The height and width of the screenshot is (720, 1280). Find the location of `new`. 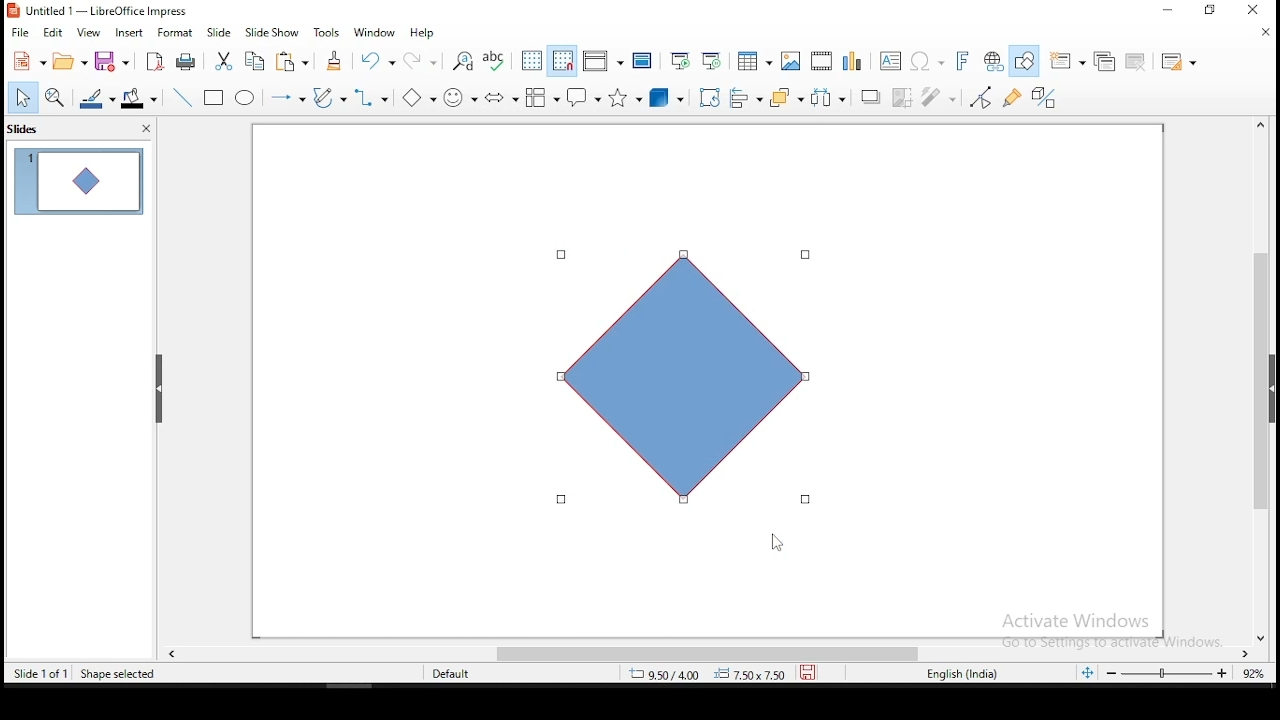

new is located at coordinates (25, 61).